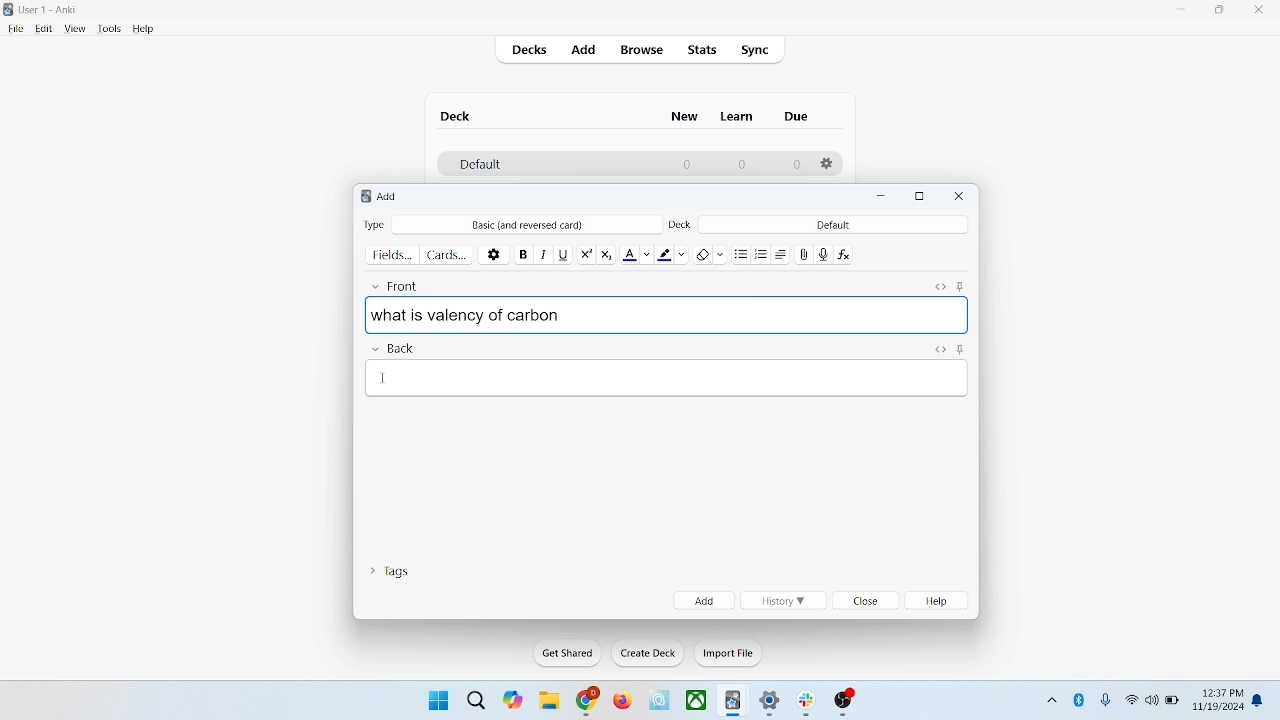 The image size is (1280, 720). I want to click on icon, so click(734, 702).